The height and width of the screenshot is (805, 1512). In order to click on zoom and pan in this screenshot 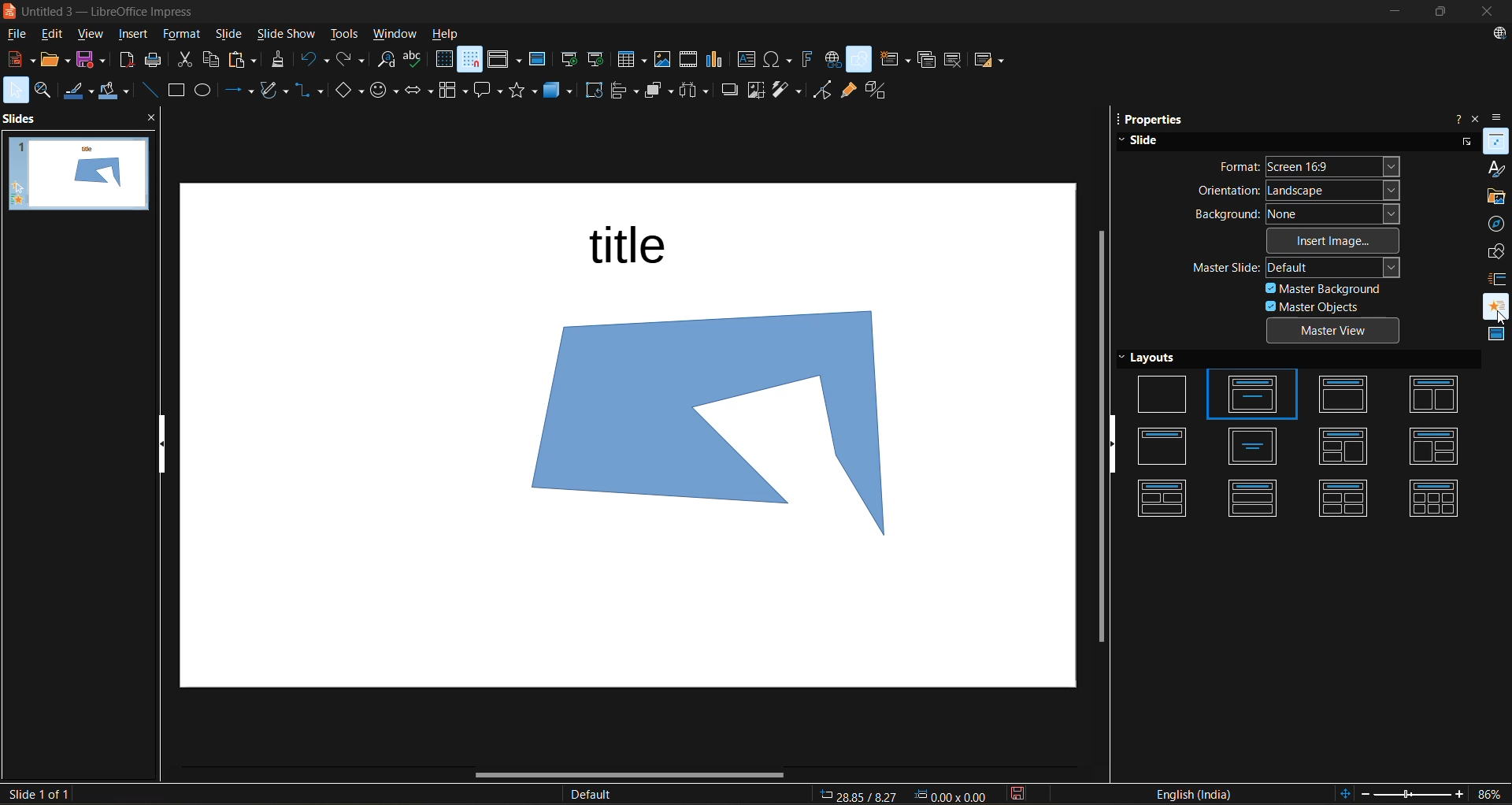, I will do `click(50, 90)`.